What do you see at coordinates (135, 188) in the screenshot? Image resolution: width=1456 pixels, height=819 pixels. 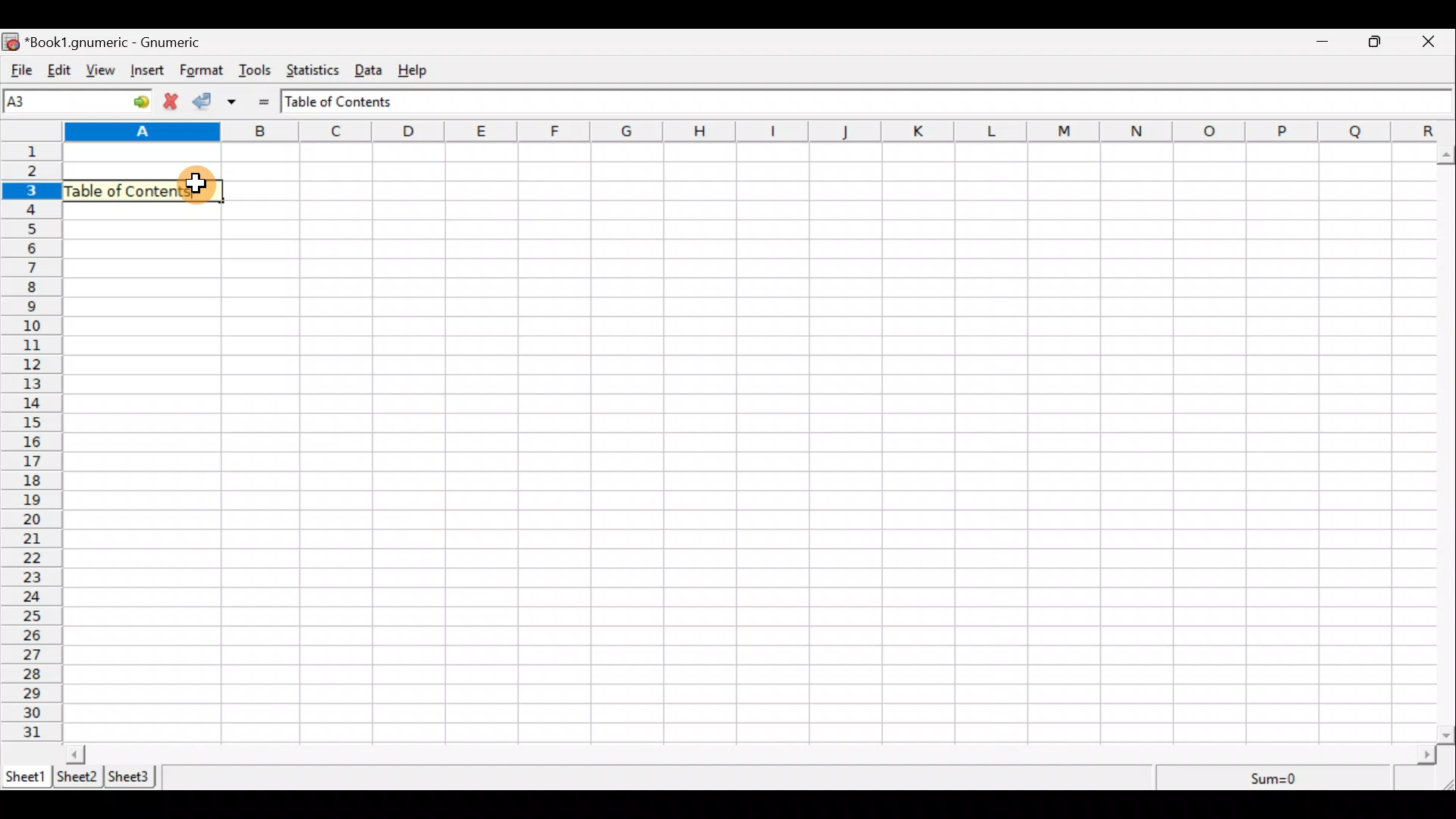 I see `table of content` at bounding box center [135, 188].